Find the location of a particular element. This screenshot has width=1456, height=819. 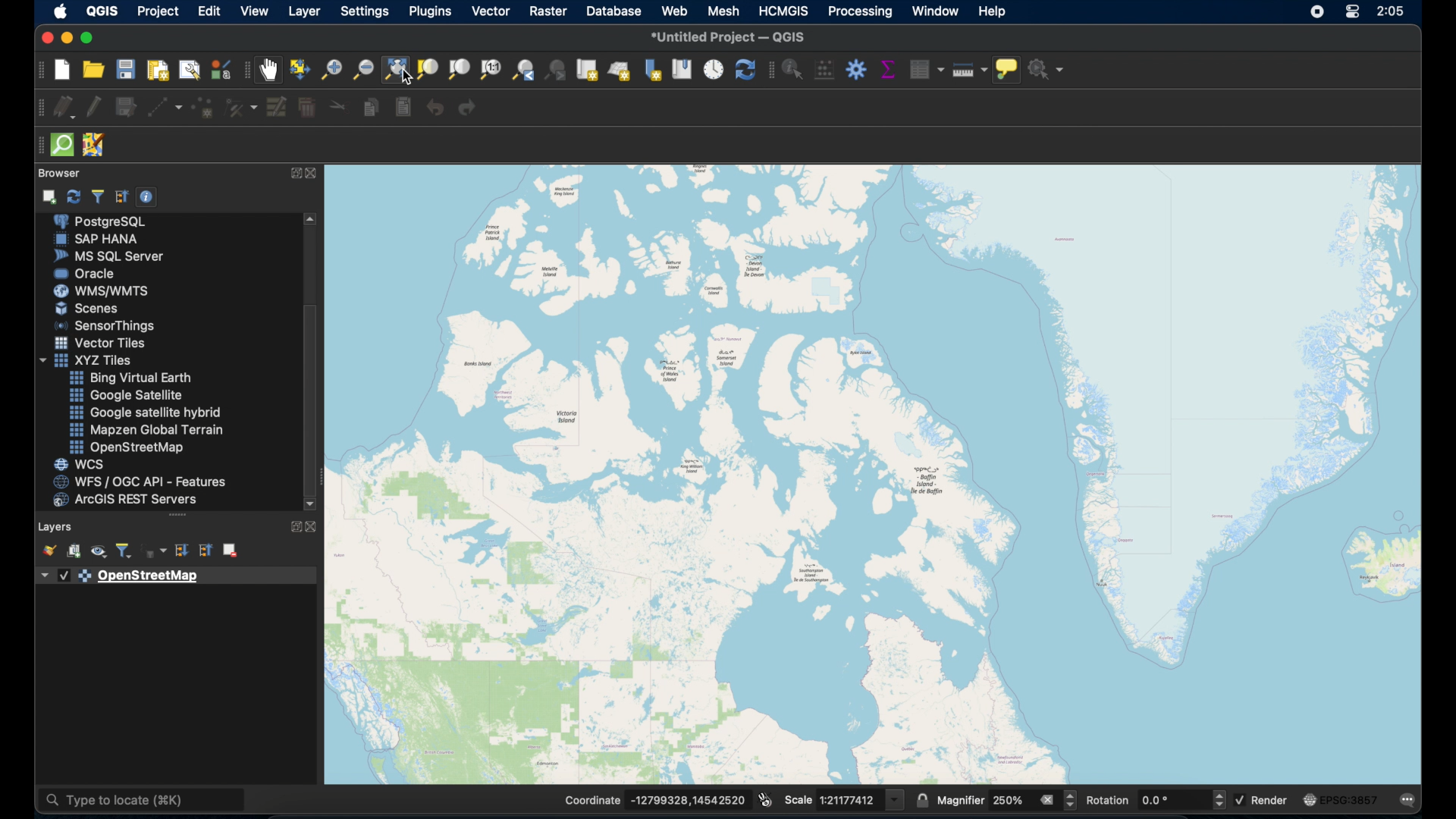

icon is located at coordinates (1310, 798).